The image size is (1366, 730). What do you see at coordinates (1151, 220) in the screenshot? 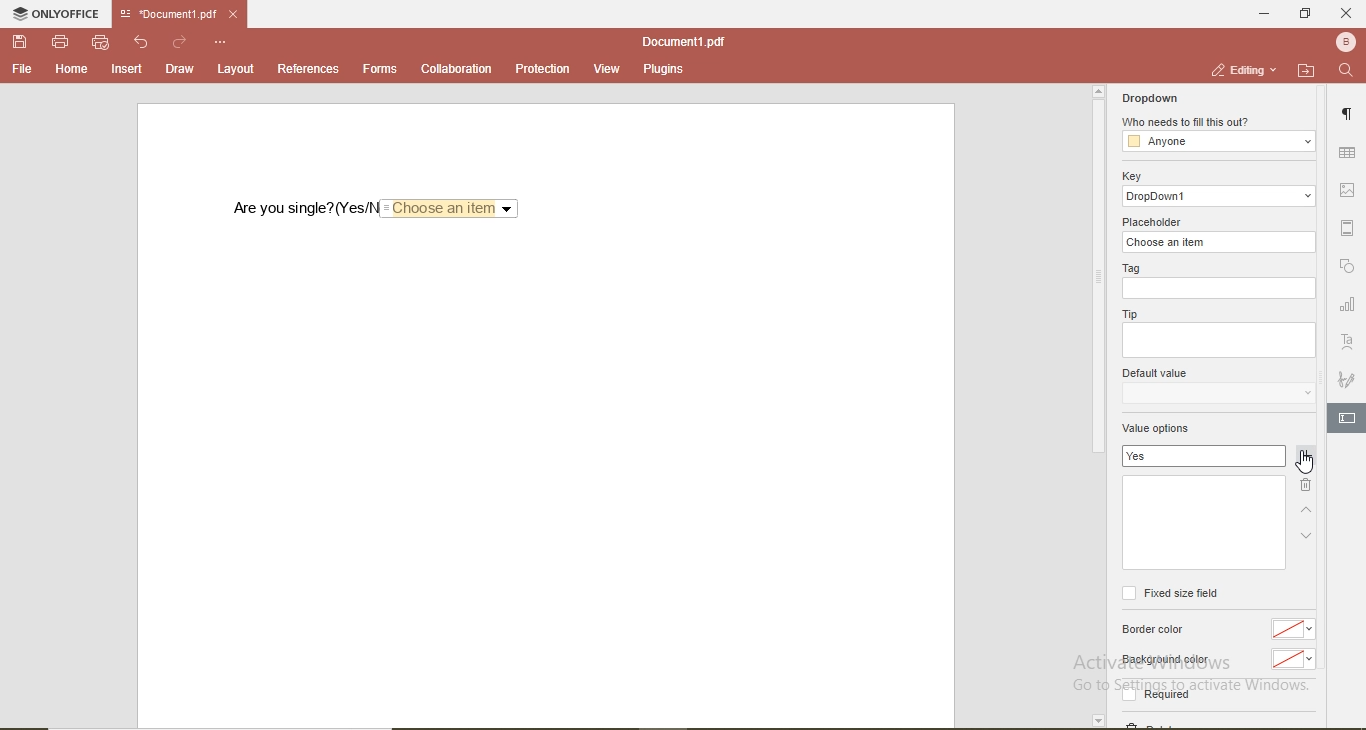
I see `placeholder` at bounding box center [1151, 220].